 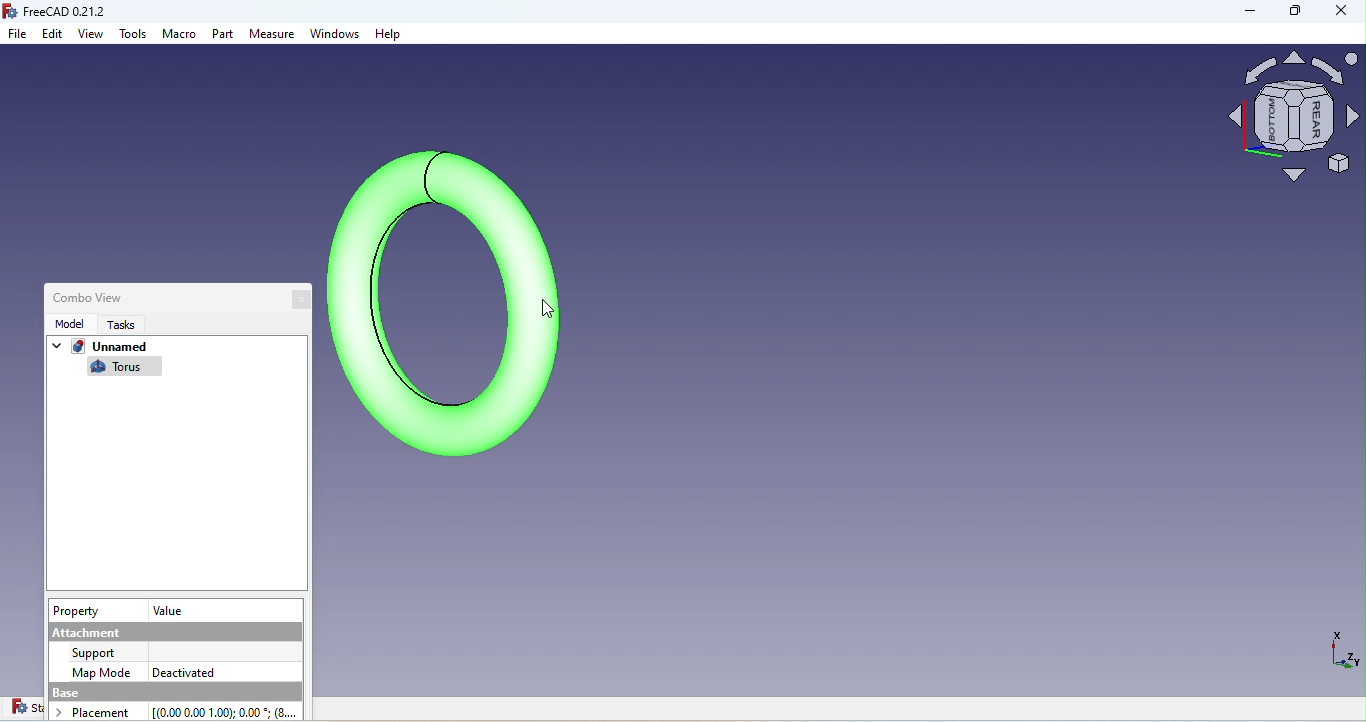 I want to click on View, so click(x=92, y=35).